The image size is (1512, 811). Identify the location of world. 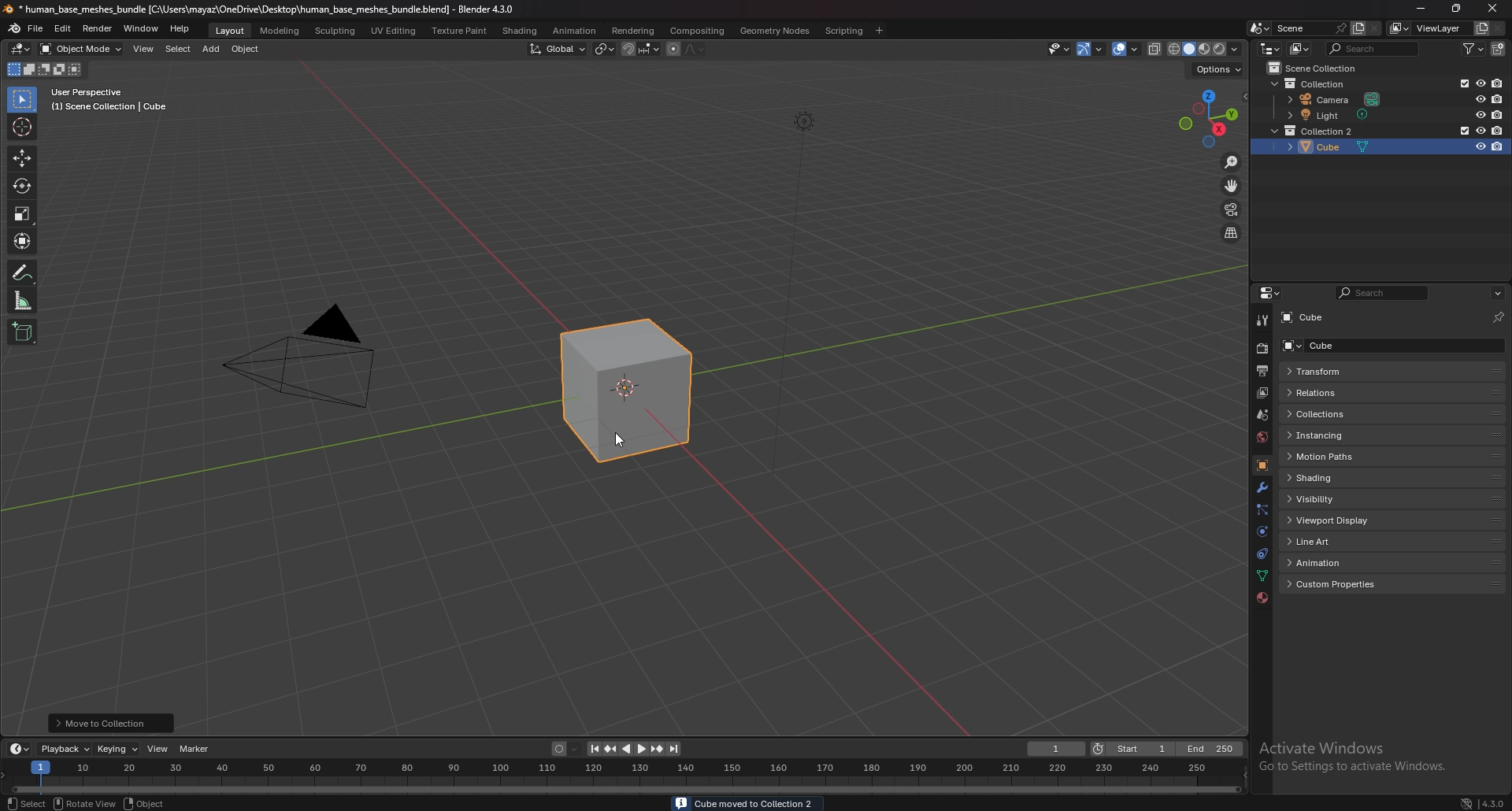
(1262, 437).